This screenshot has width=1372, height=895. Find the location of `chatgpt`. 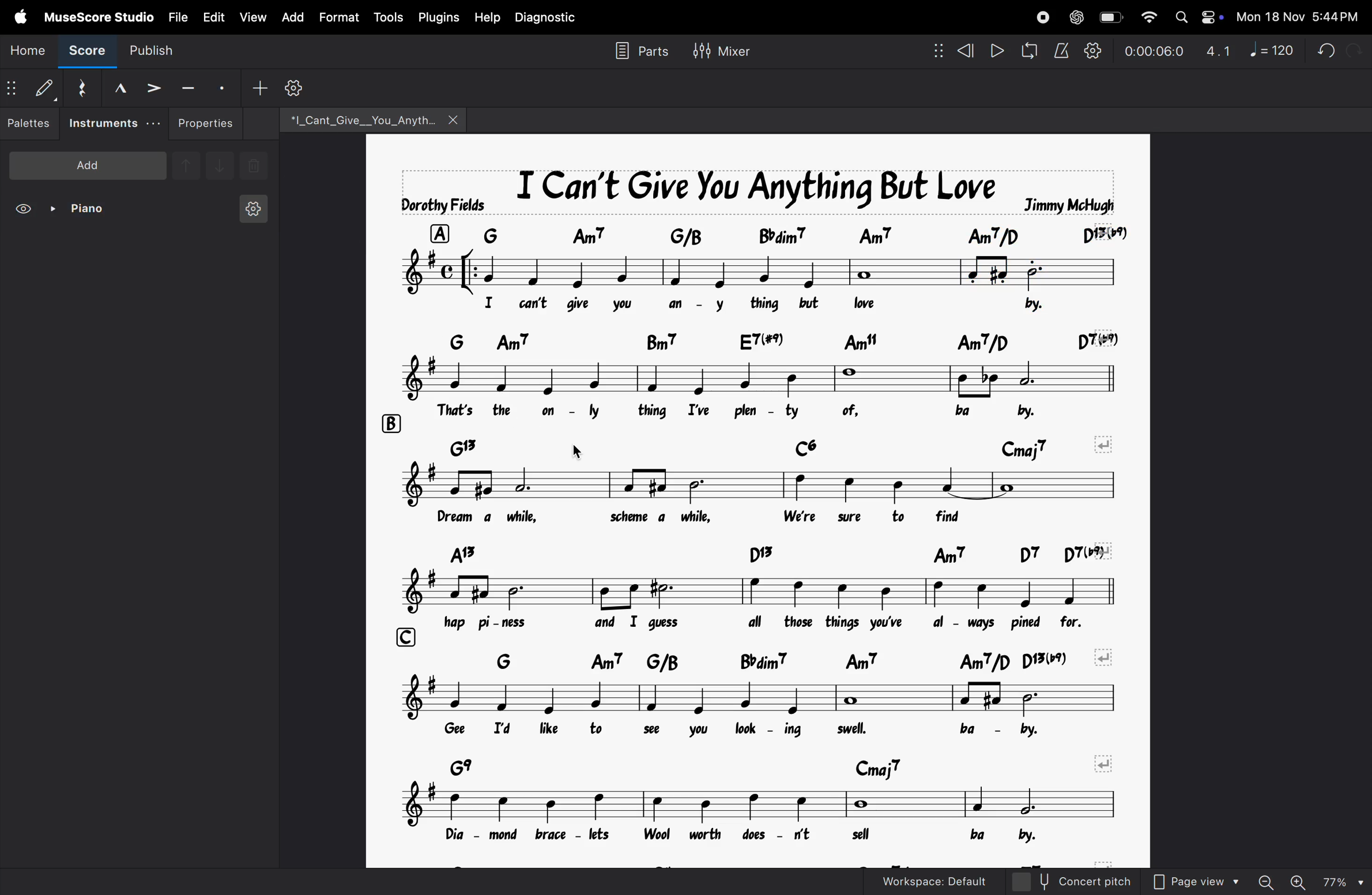

chatgpt is located at coordinates (1075, 16).